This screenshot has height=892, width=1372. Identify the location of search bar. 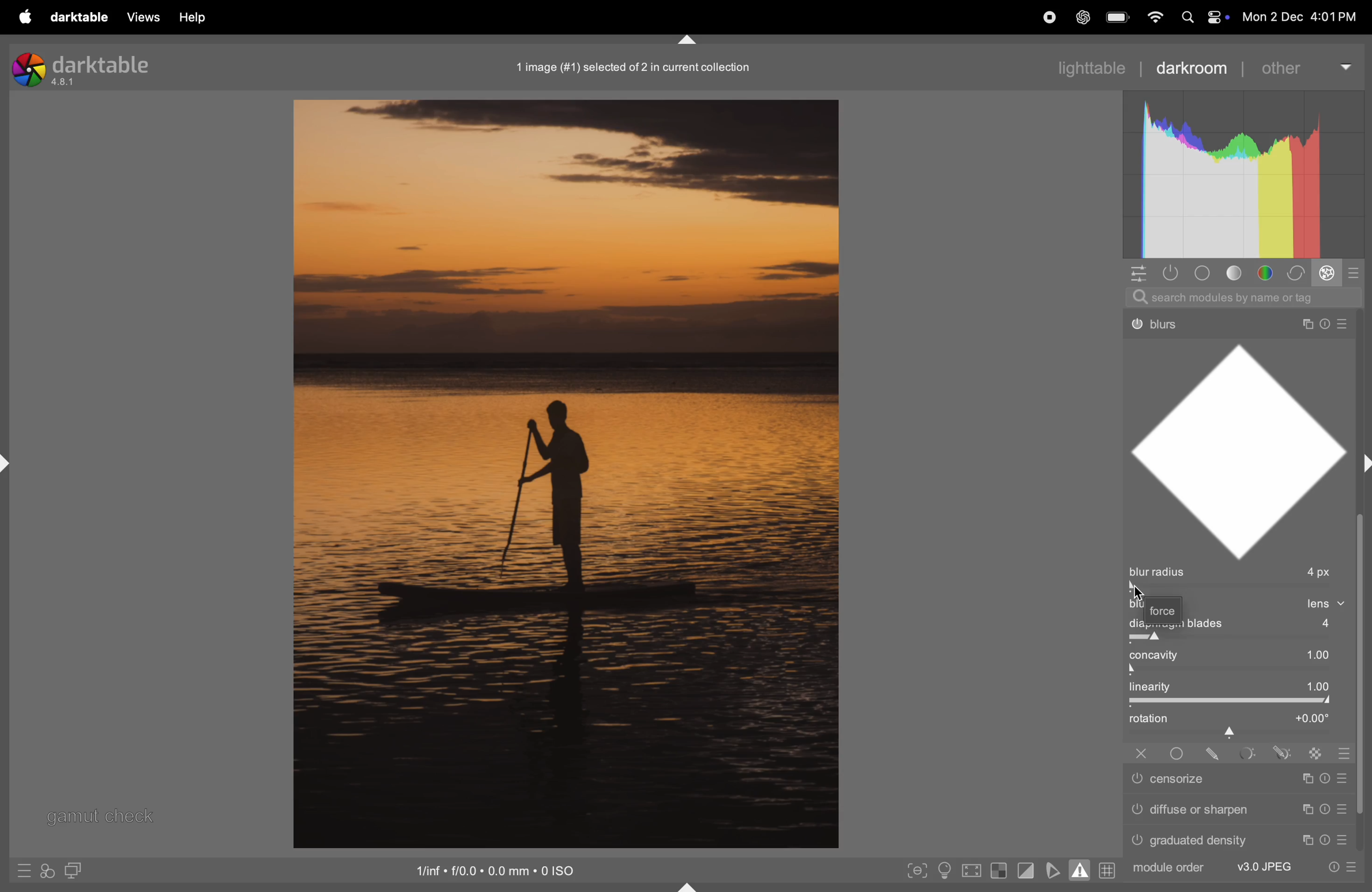
(1247, 296).